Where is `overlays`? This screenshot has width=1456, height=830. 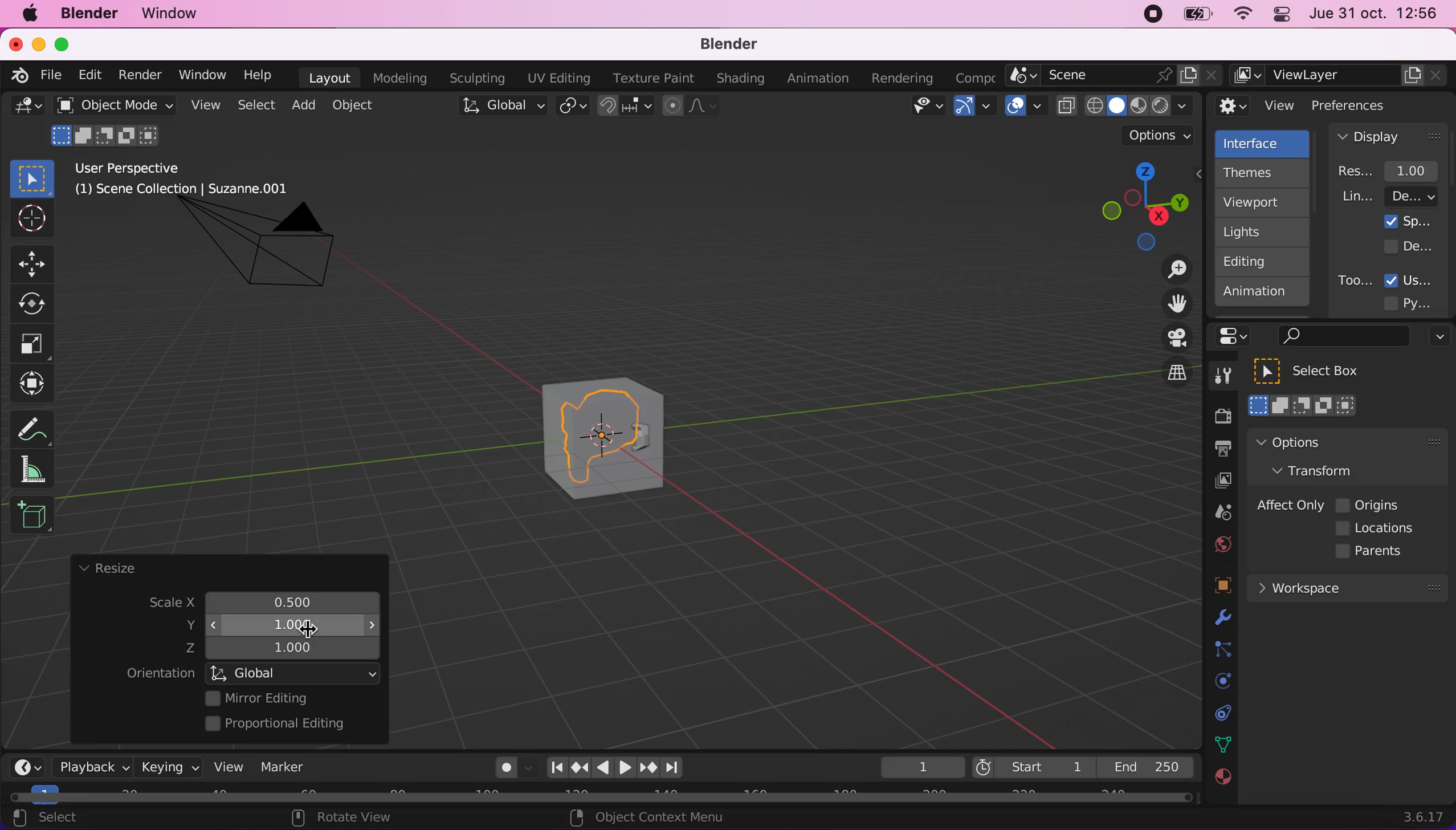 overlays is located at coordinates (1026, 107).